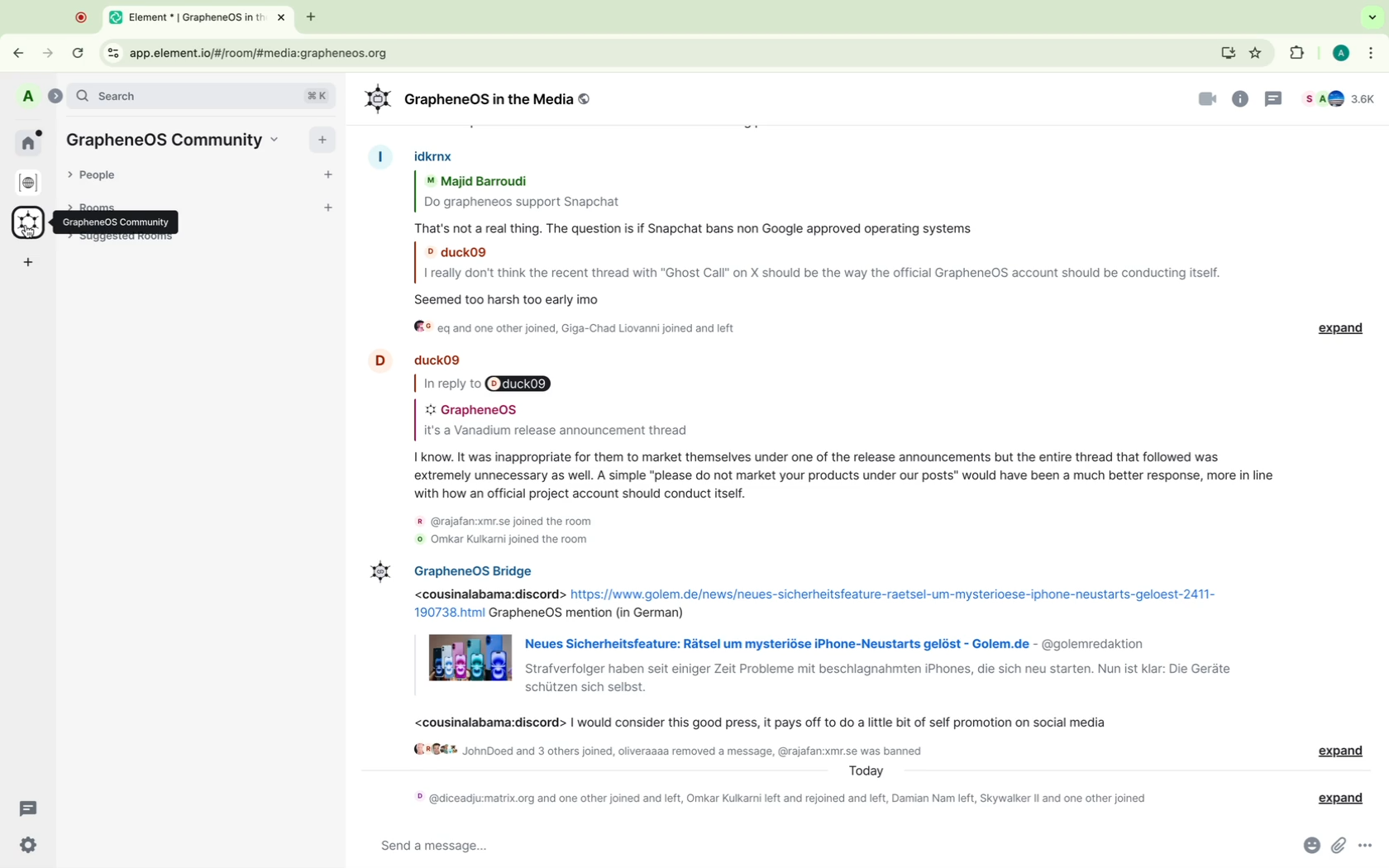 The image size is (1389, 868). Describe the element at coordinates (1339, 52) in the screenshot. I see `google profile picture` at that location.